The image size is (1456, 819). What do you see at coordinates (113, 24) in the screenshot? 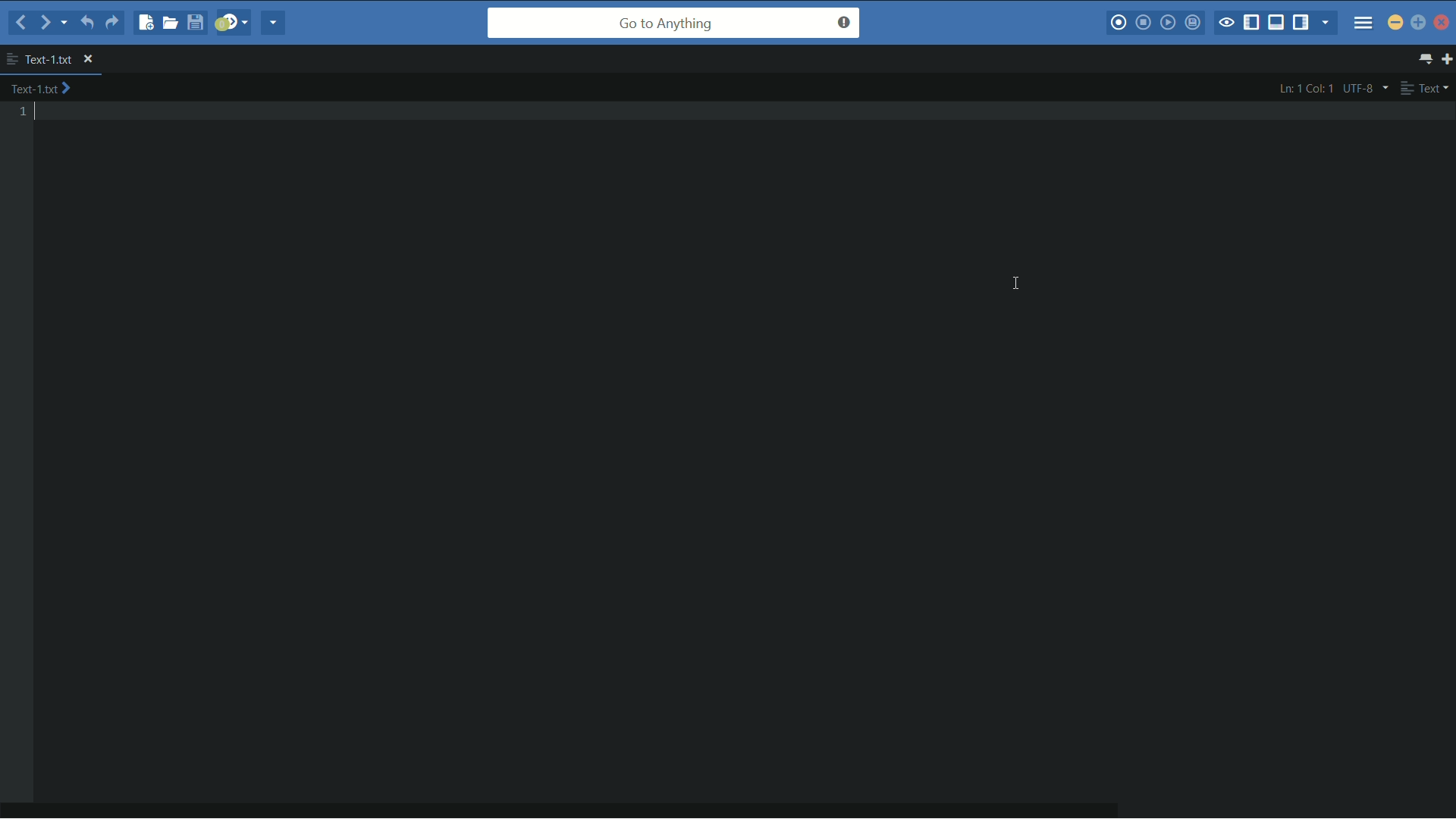
I see `redo` at bounding box center [113, 24].